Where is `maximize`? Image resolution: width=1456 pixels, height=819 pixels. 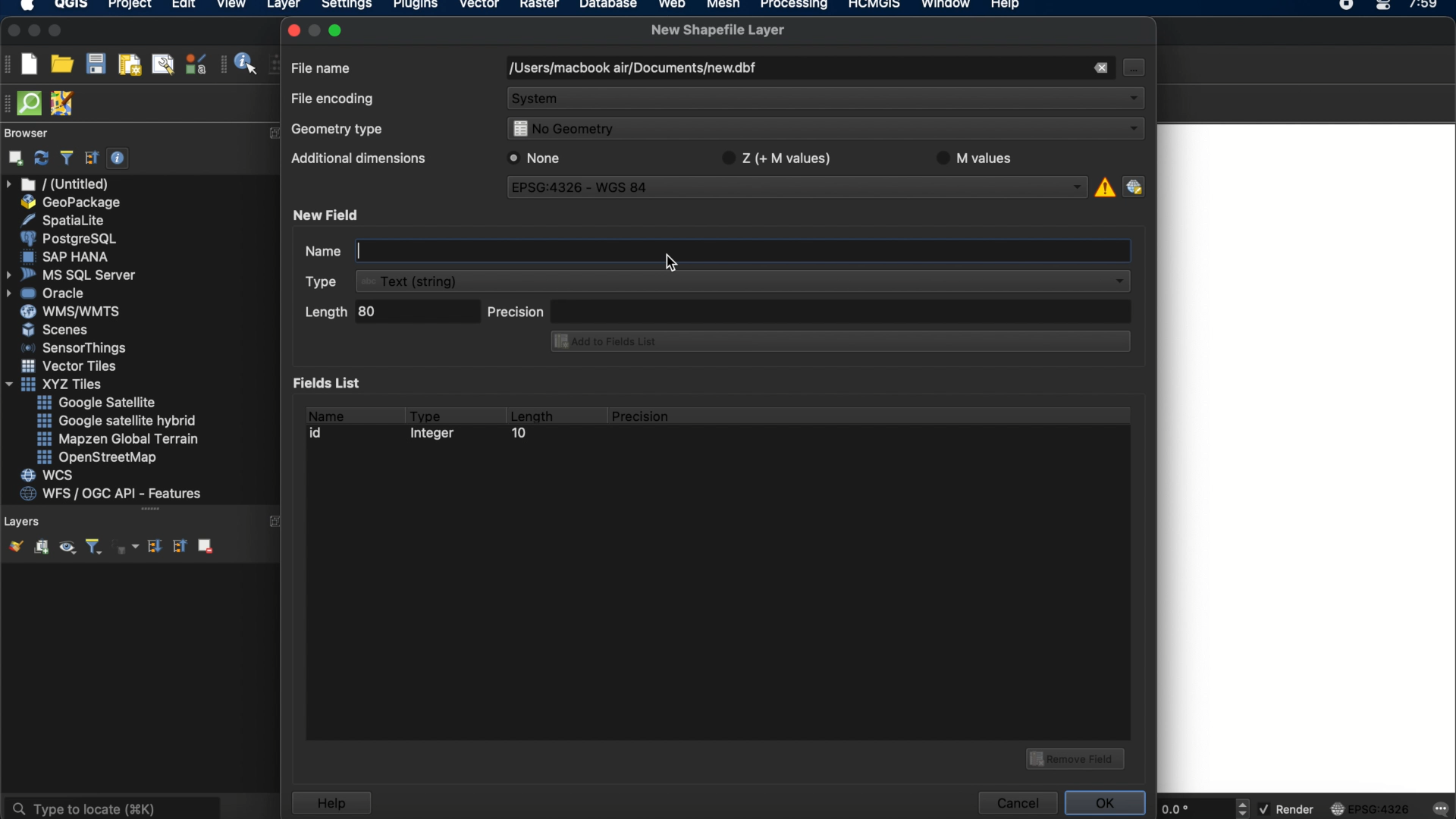 maximize is located at coordinates (338, 30).